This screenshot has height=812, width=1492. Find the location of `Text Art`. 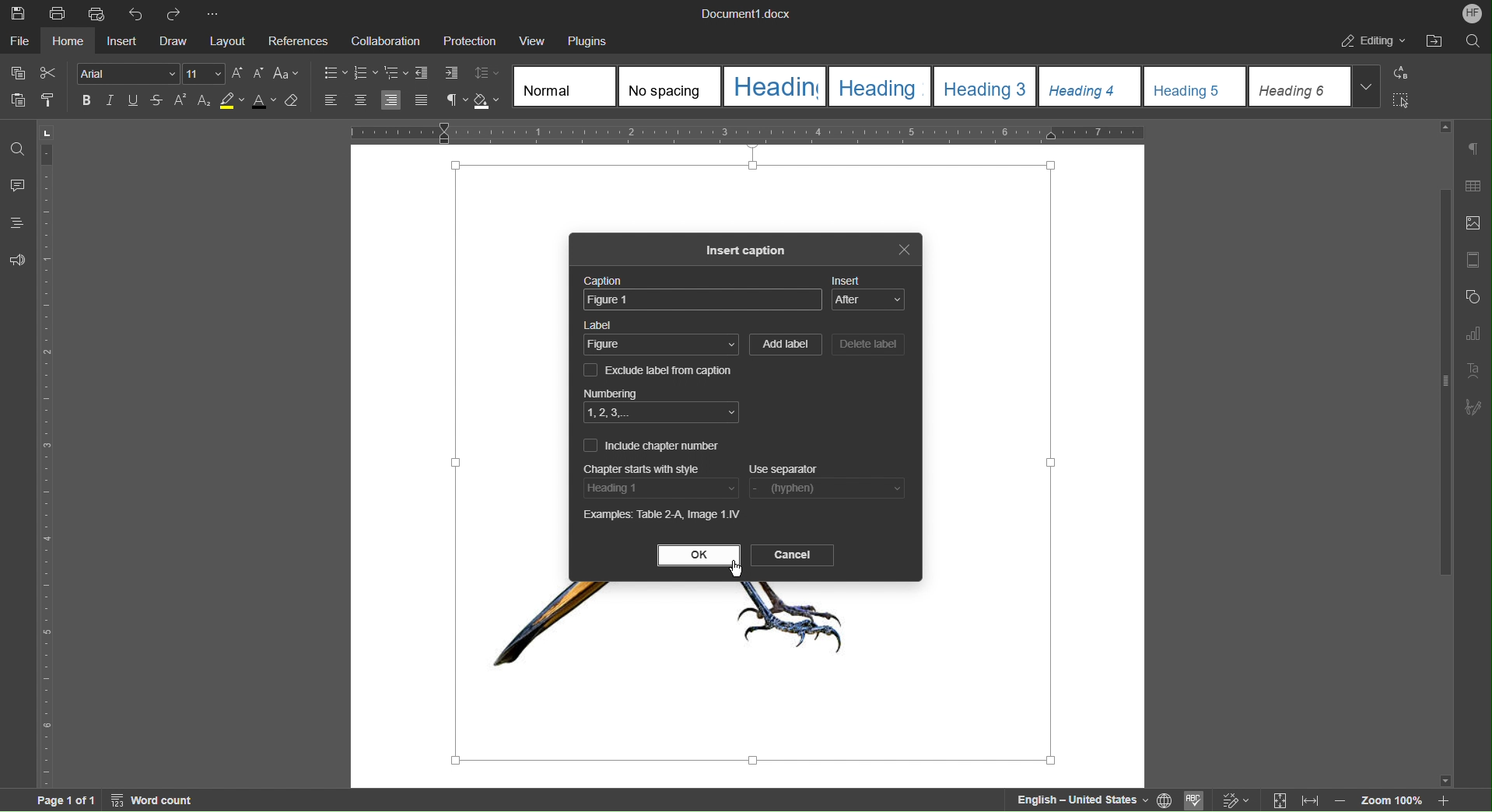

Text Art is located at coordinates (1472, 370).